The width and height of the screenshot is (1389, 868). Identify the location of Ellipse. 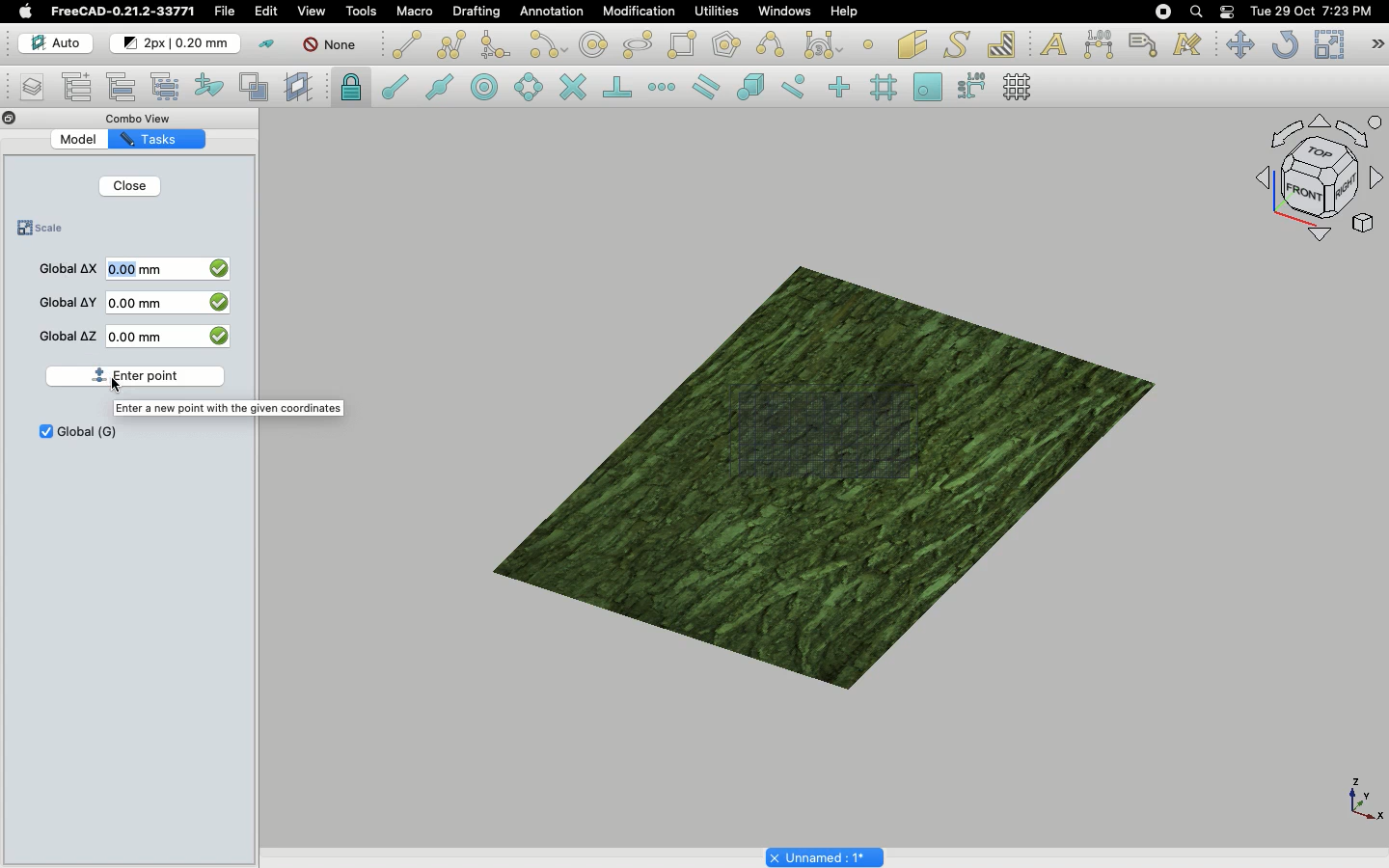
(636, 43).